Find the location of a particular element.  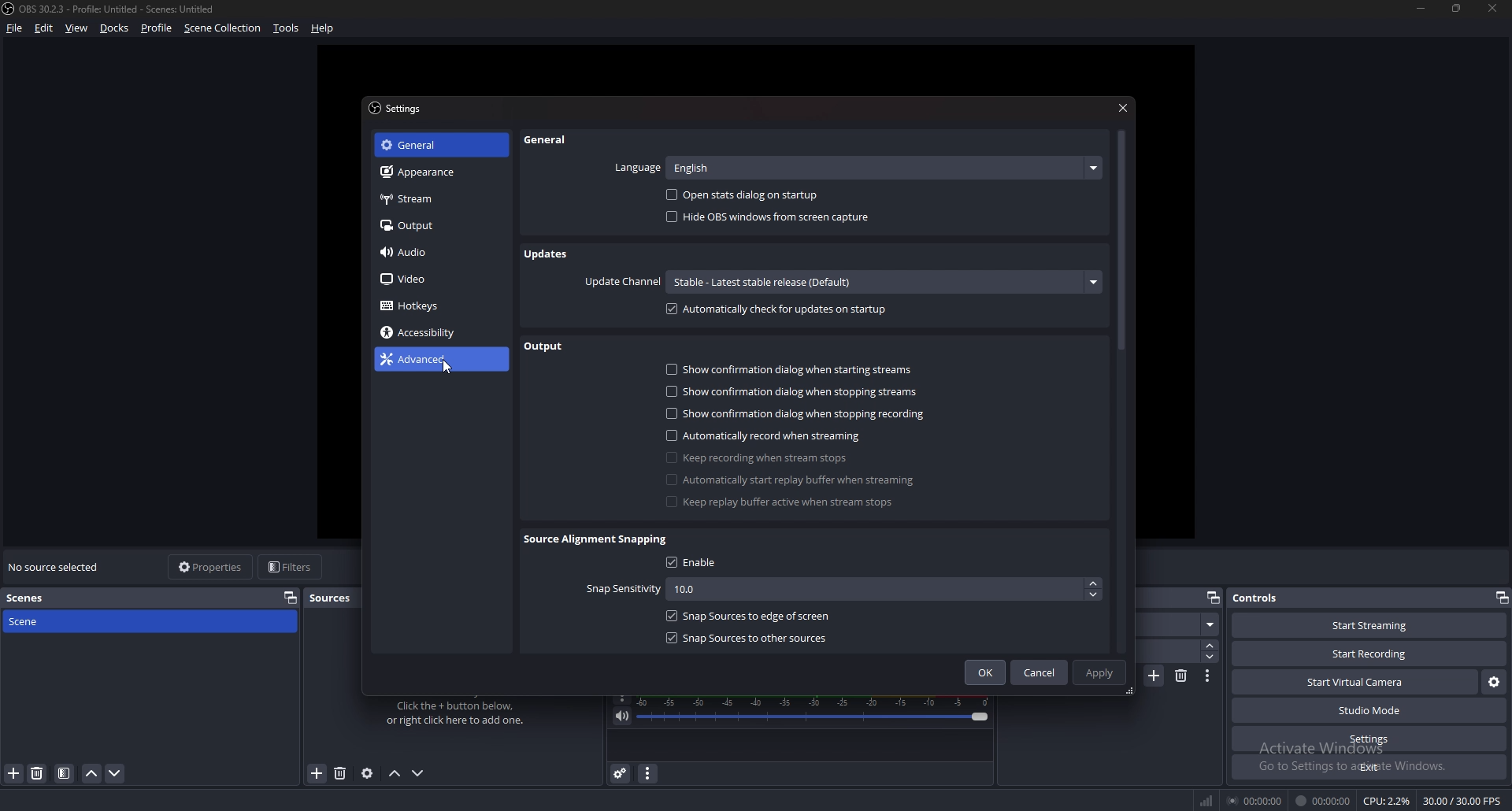

start streaming is located at coordinates (1369, 625).